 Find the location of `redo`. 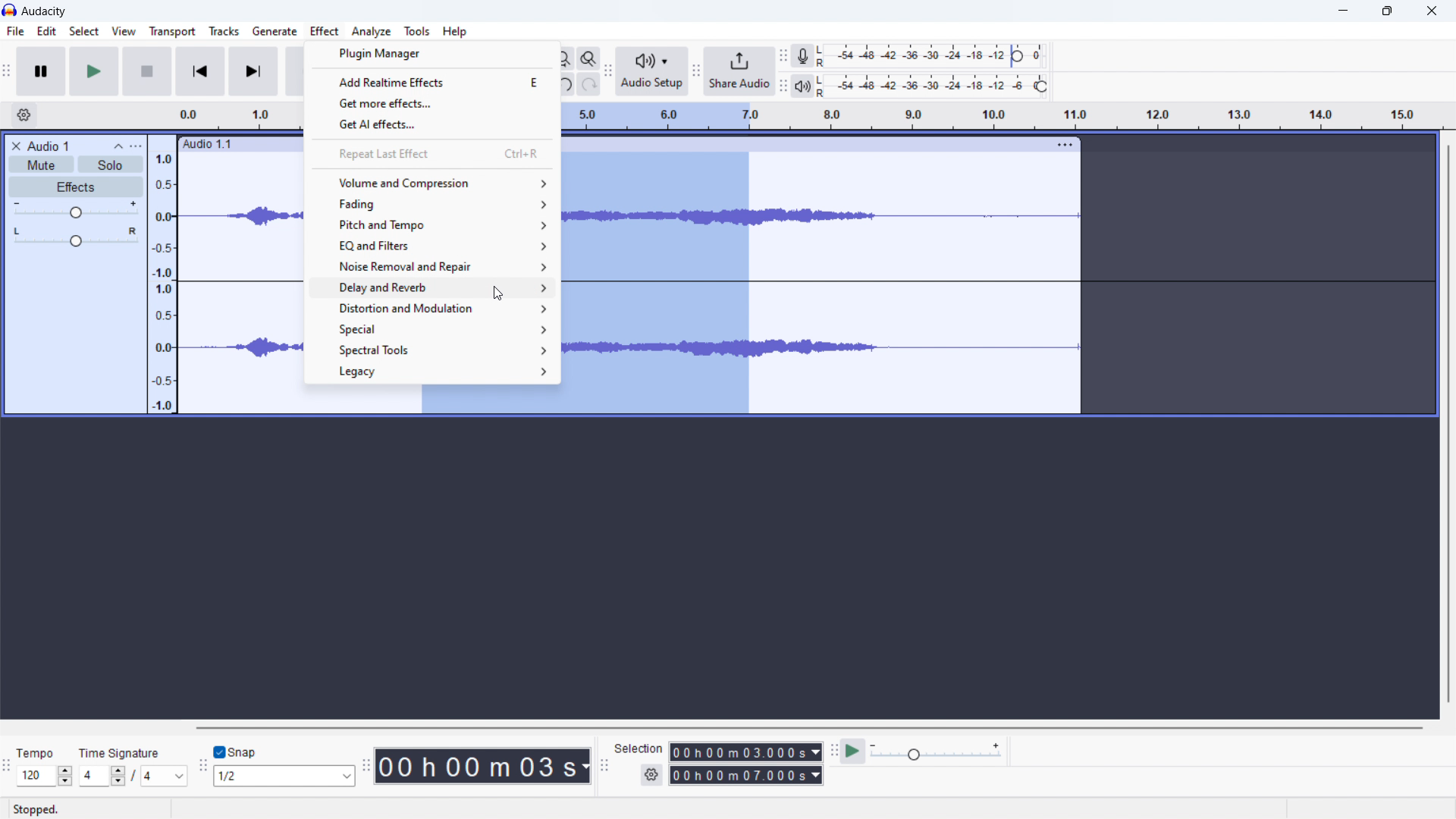

redo is located at coordinates (589, 83).